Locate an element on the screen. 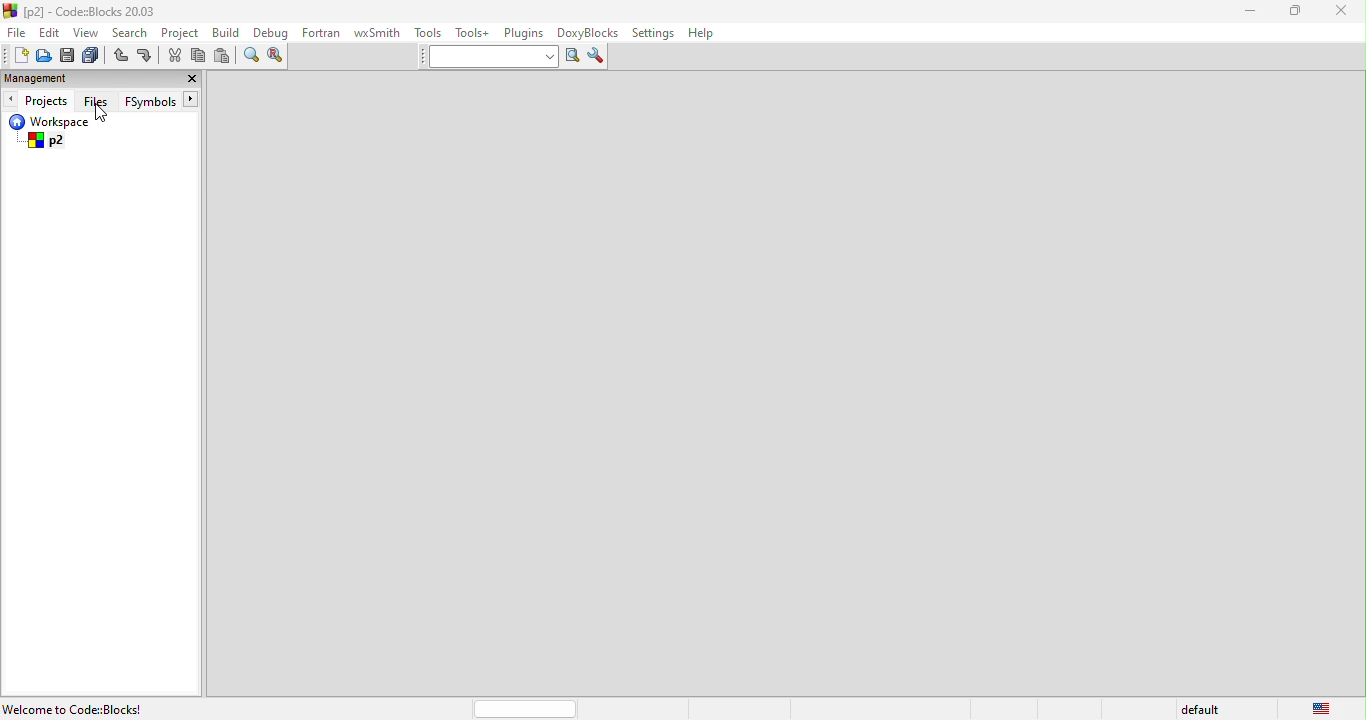 The image size is (1366, 720). close is located at coordinates (1342, 11).